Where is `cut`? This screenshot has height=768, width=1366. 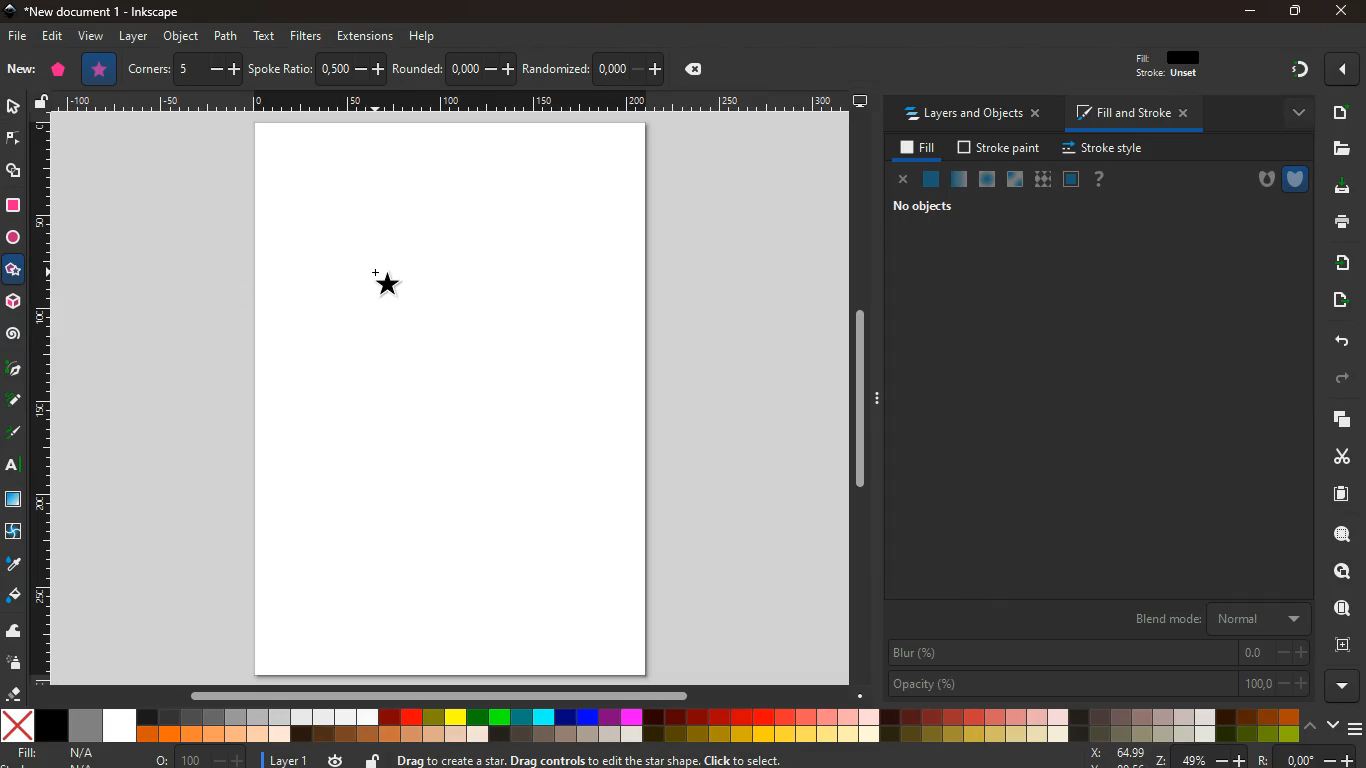 cut is located at coordinates (1338, 457).